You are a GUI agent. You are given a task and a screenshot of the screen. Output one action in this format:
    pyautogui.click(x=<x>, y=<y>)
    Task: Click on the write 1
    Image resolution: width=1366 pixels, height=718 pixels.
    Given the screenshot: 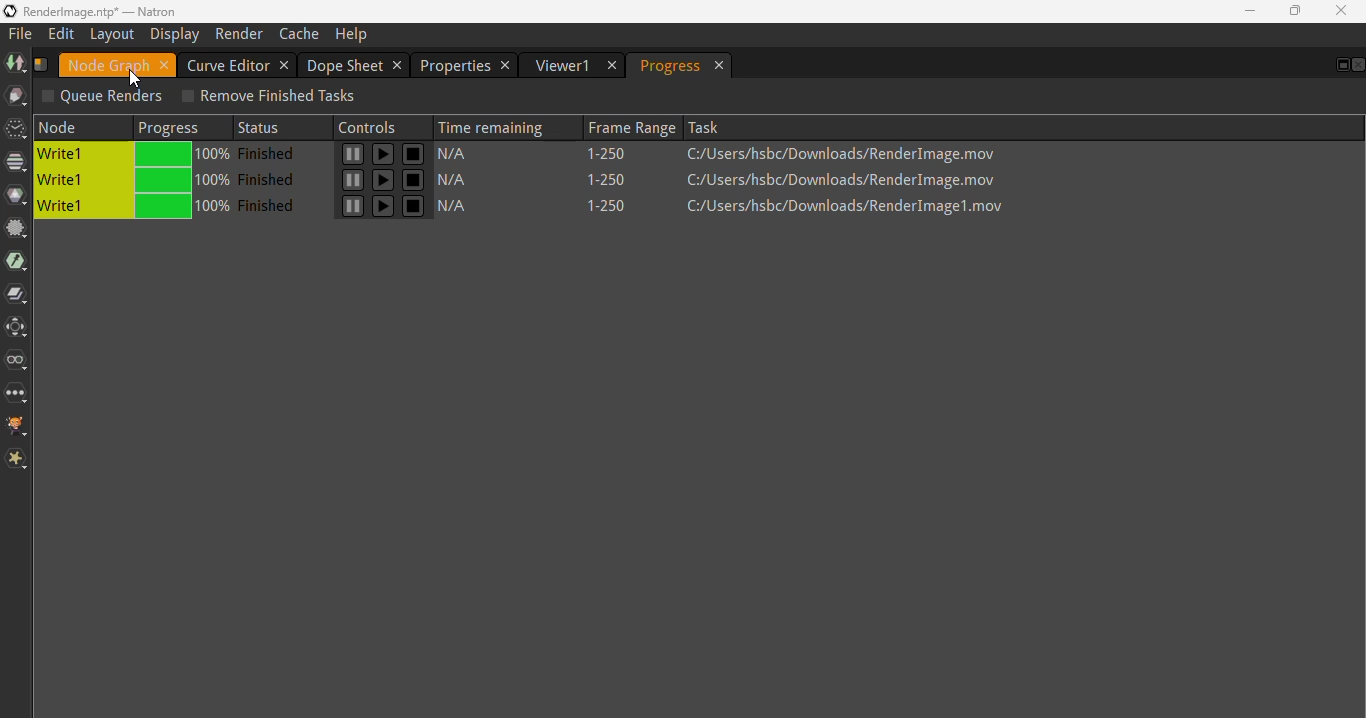 What is the action you would take?
    pyautogui.click(x=82, y=180)
    